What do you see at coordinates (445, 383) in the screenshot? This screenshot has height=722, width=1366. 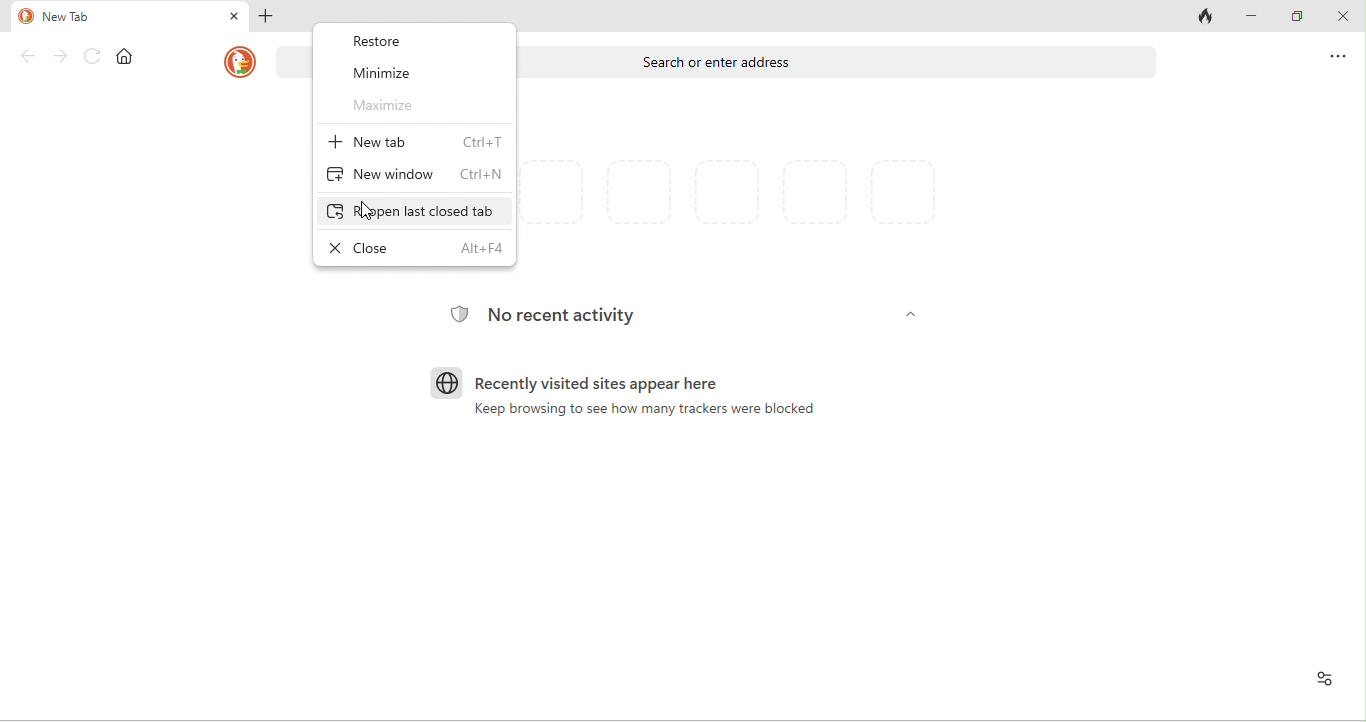 I see `browser logo` at bounding box center [445, 383].